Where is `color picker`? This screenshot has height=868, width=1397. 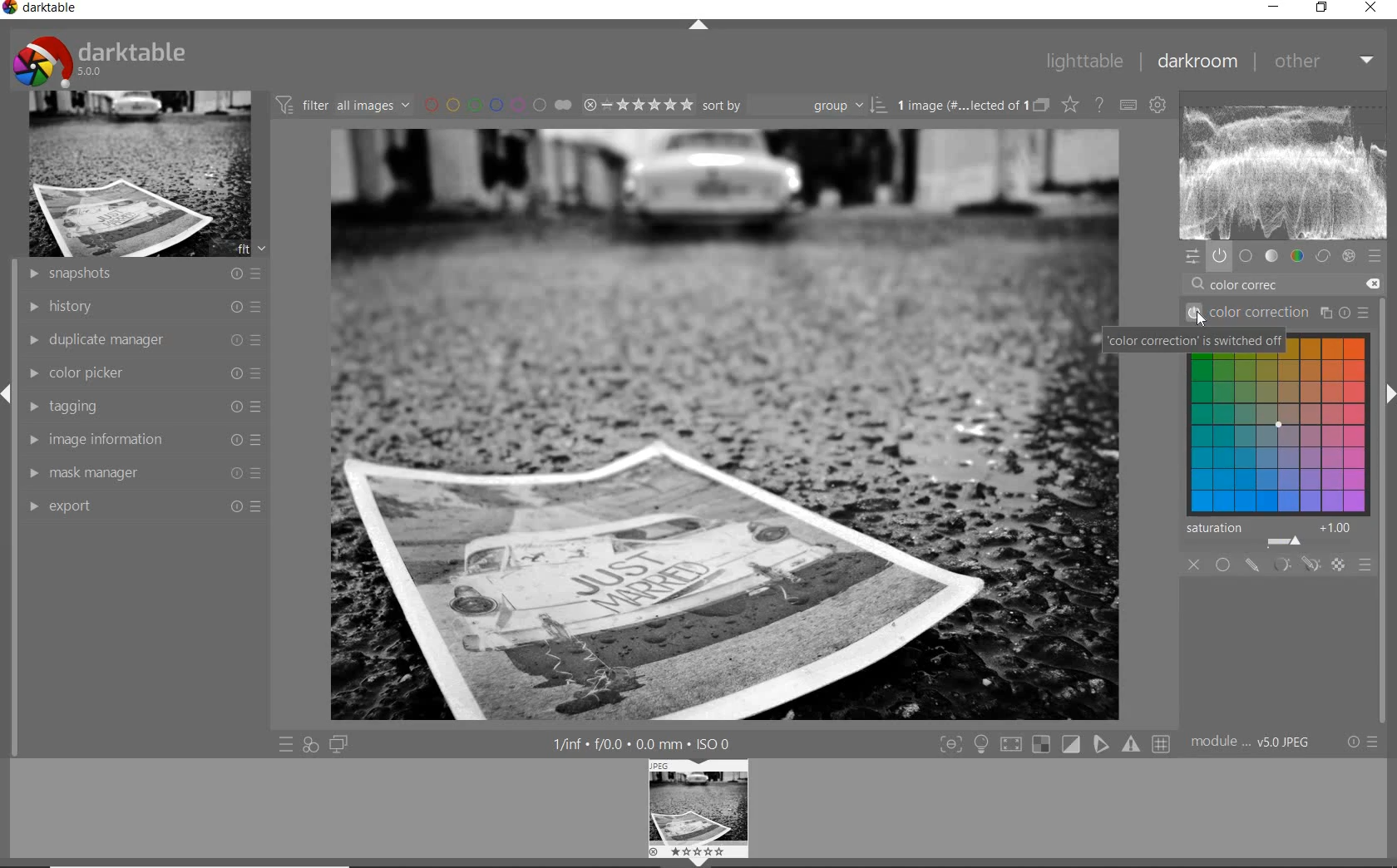
color picker is located at coordinates (146, 373).